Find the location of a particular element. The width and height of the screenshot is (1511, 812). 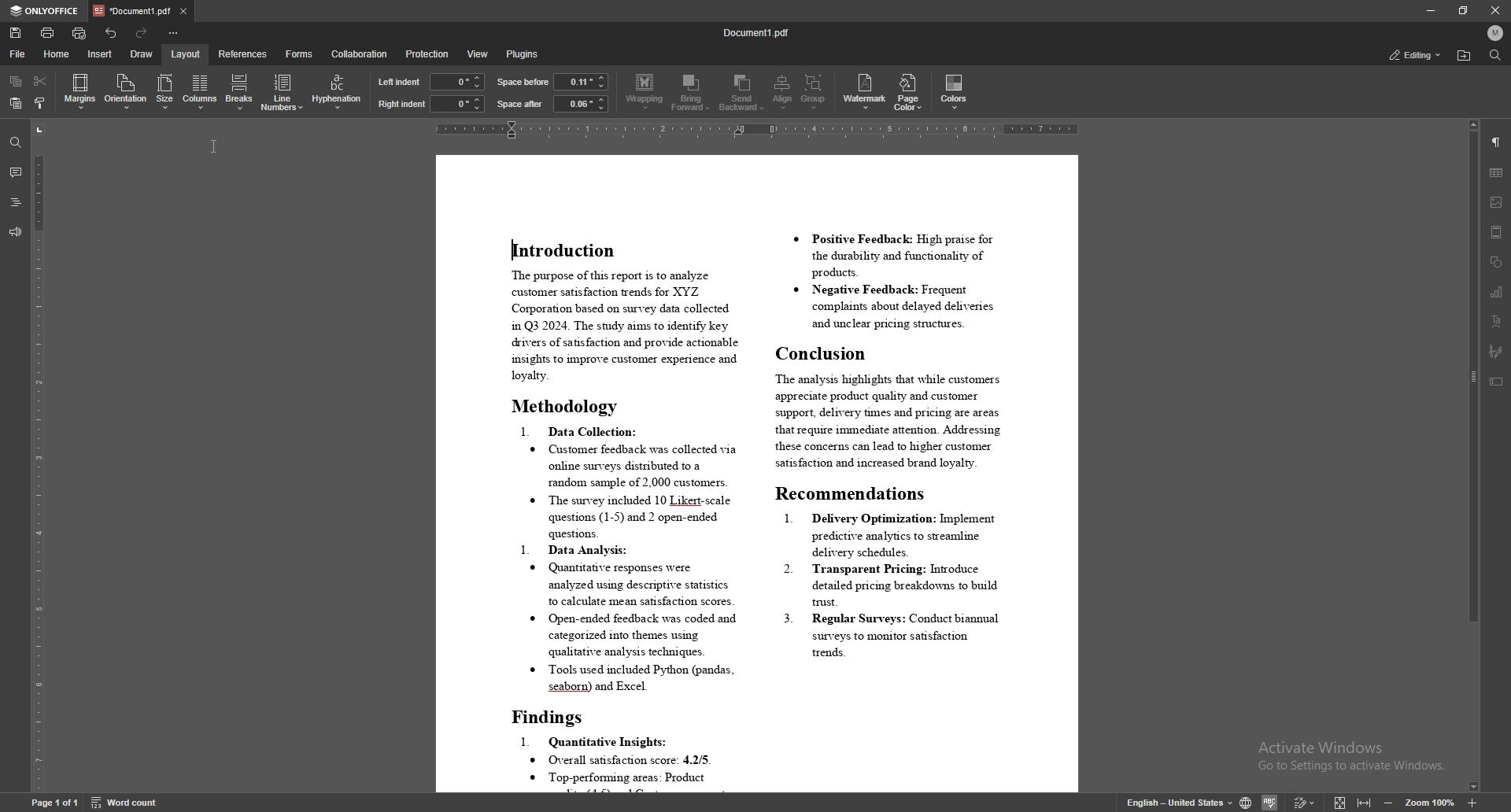

comments is located at coordinates (16, 172).